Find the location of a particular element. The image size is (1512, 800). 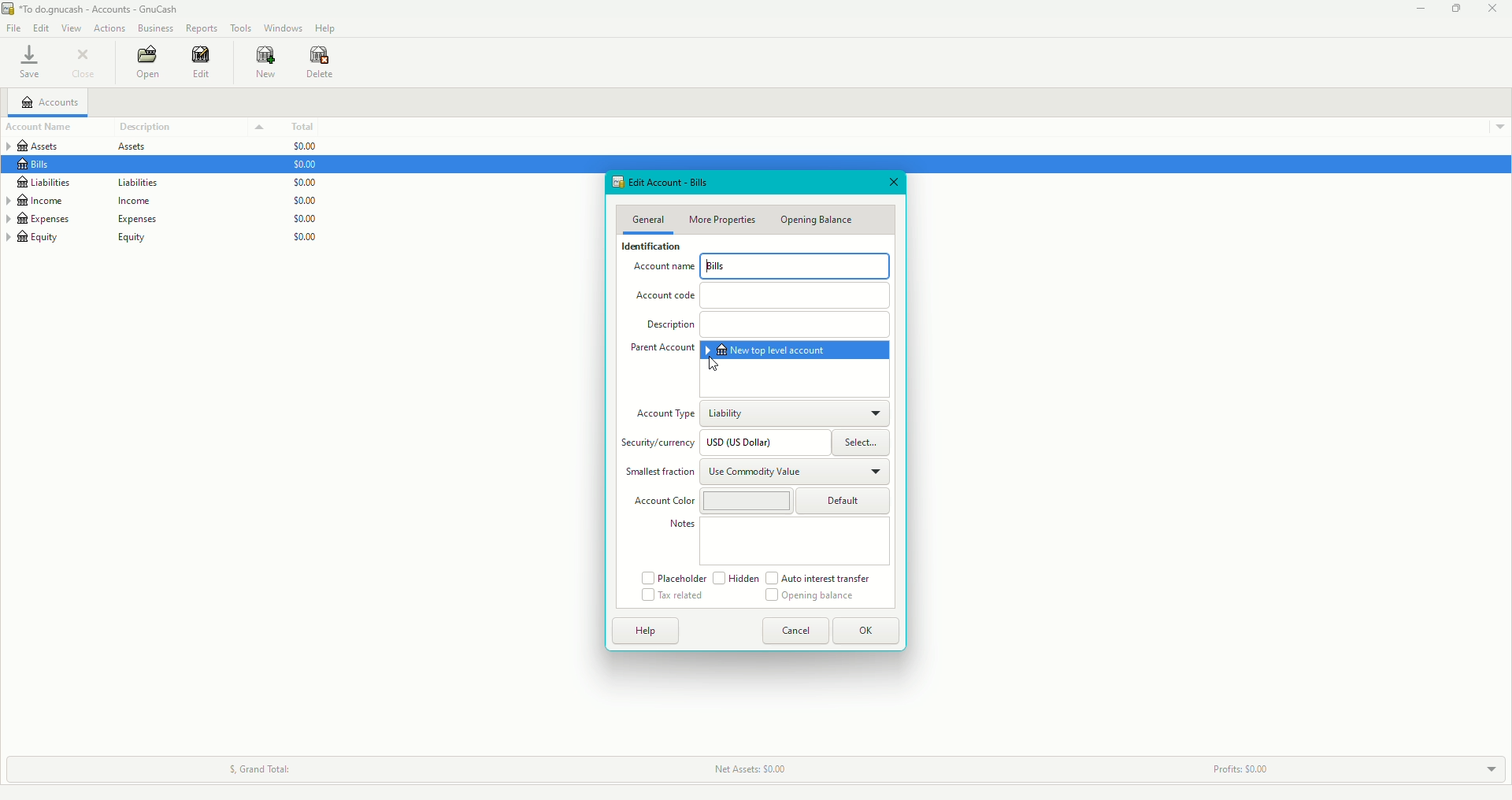

Drop down menu is located at coordinates (1495, 124).